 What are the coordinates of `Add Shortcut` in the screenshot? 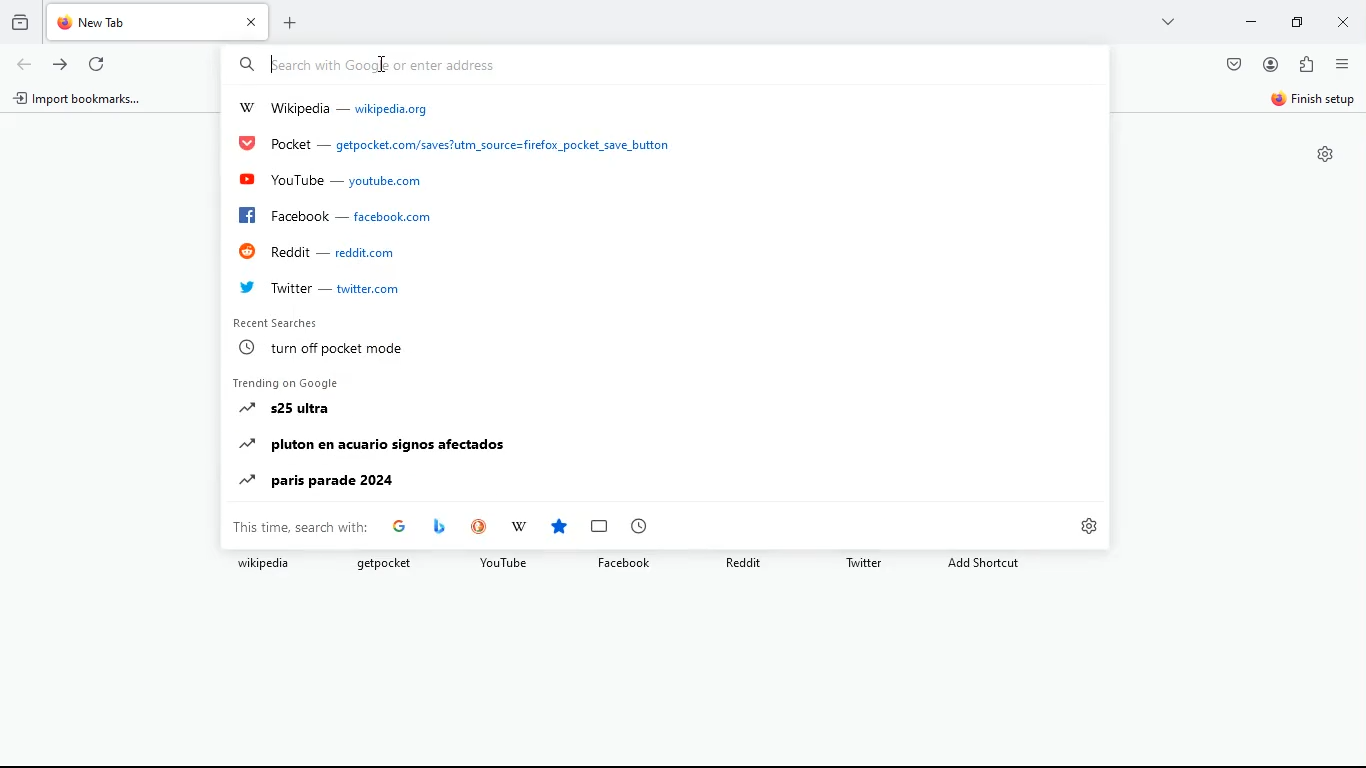 It's located at (984, 563).